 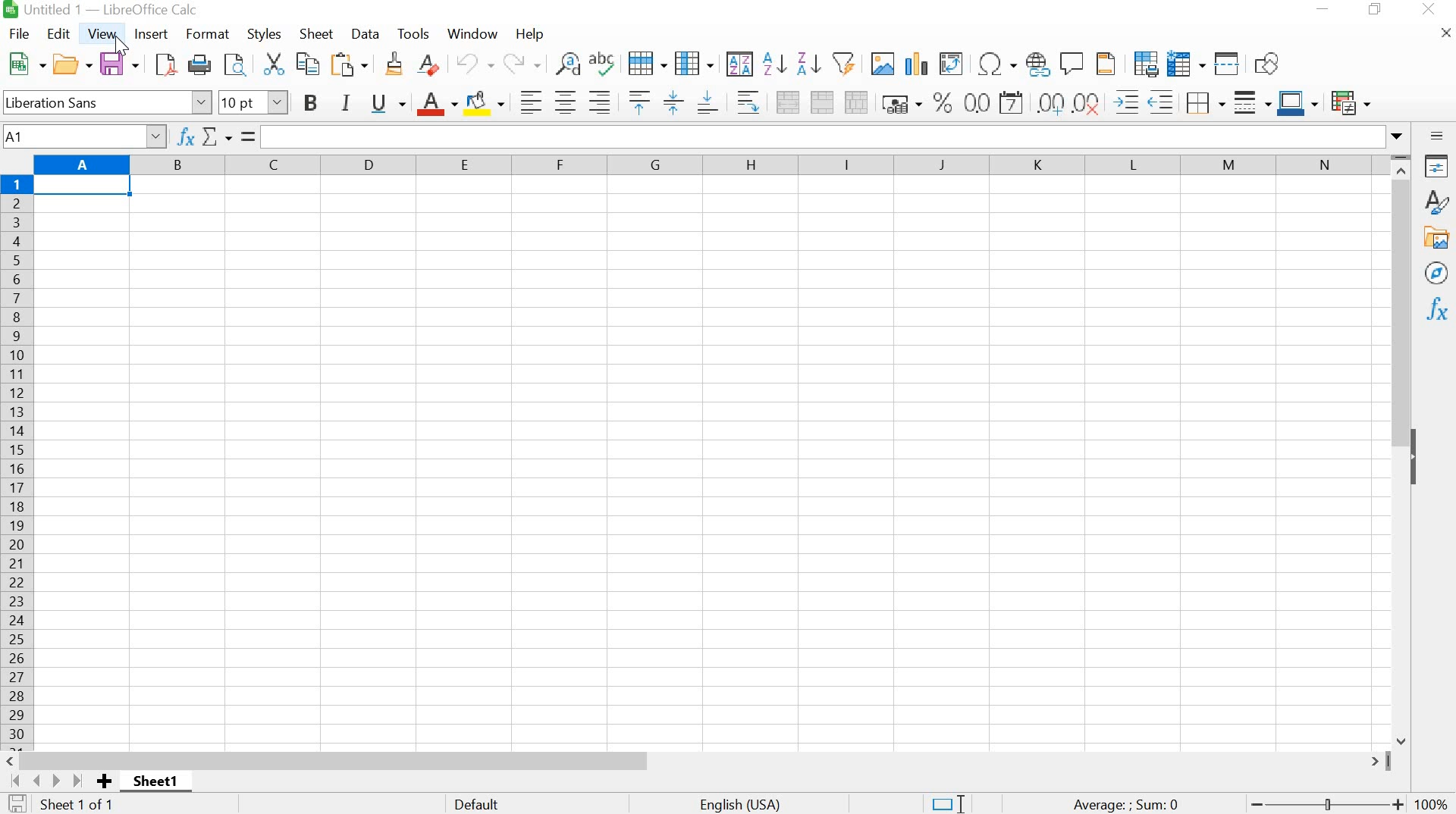 What do you see at coordinates (1270, 64) in the screenshot?
I see `SHOW DRAW FUNCTIONS` at bounding box center [1270, 64].